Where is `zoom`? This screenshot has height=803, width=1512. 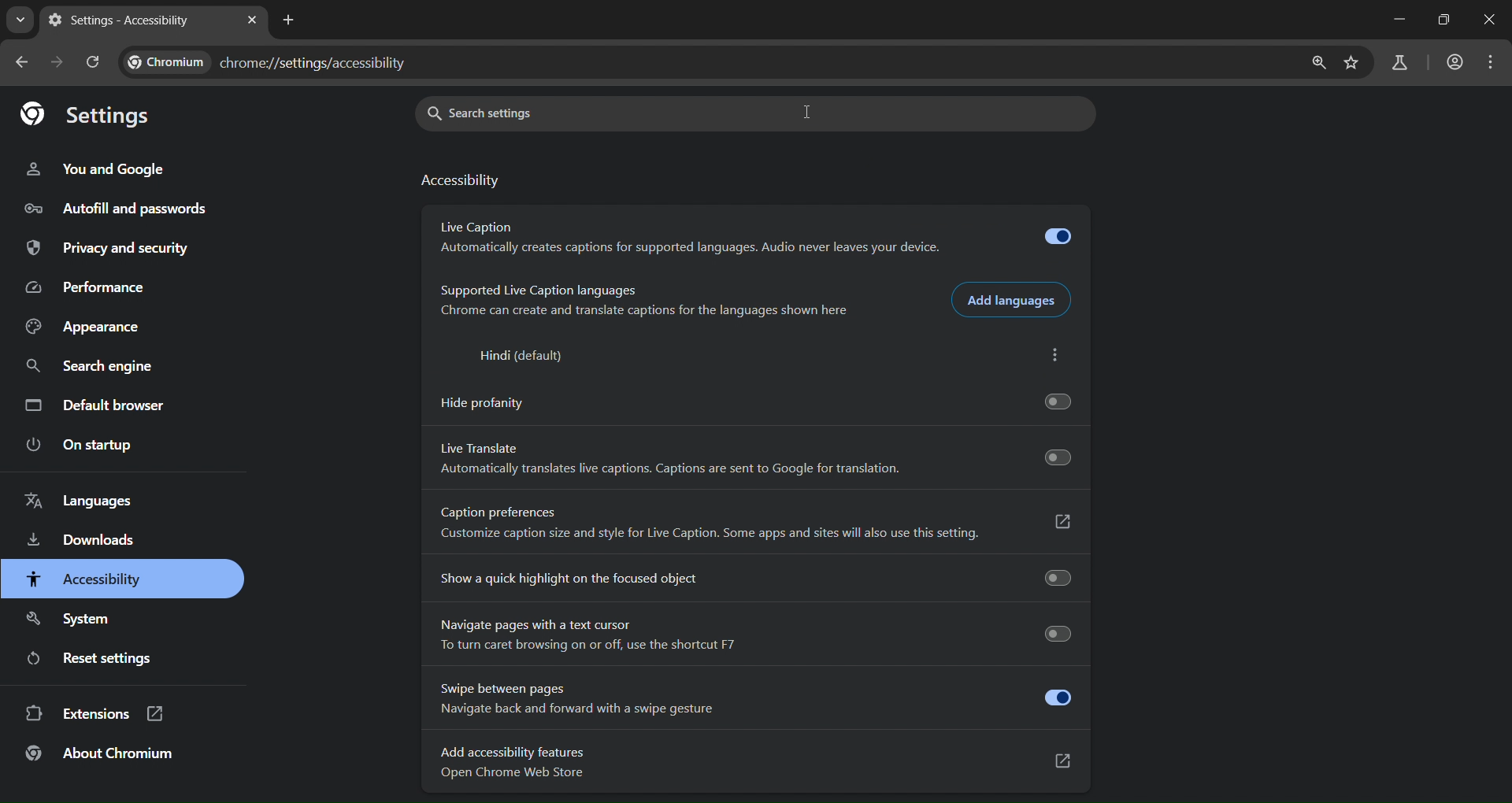 zoom is located at coordinates (1314, 62).